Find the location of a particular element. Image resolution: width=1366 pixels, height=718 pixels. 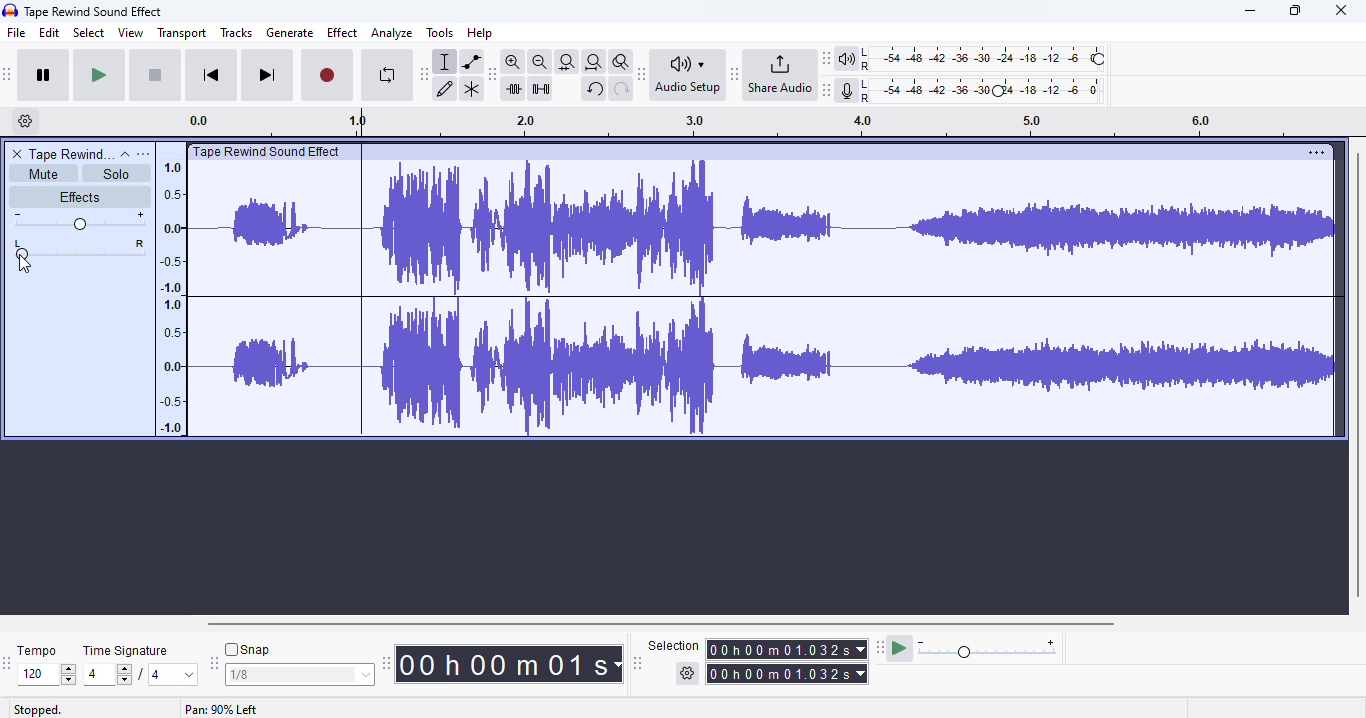

Pan 90% left is located at coordinates (220, 710).